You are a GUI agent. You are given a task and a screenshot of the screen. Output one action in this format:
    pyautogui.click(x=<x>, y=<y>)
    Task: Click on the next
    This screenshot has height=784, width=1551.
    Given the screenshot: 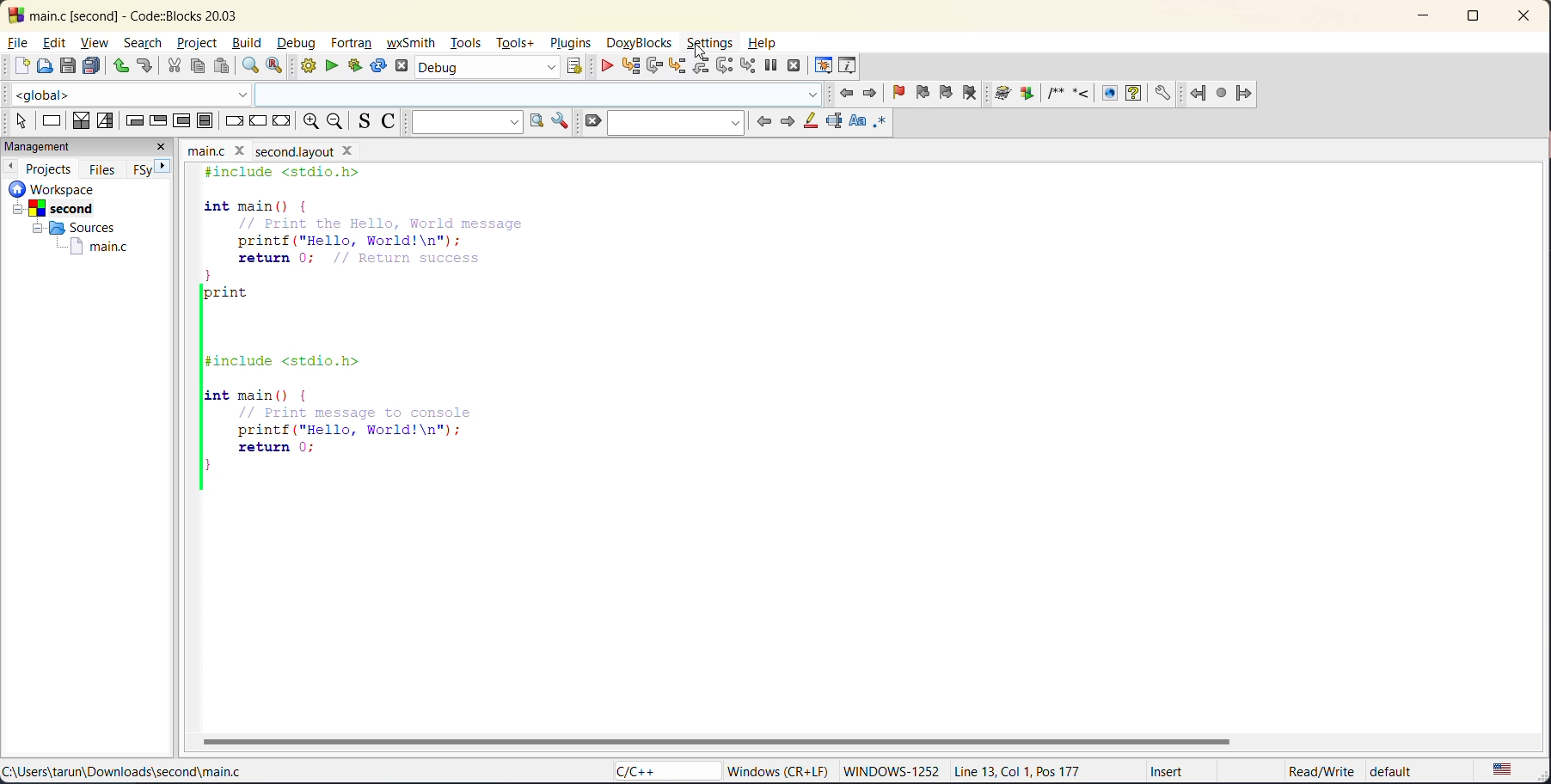 What is the action you would take?
    pyautogui.click(x=169, y=168)
    